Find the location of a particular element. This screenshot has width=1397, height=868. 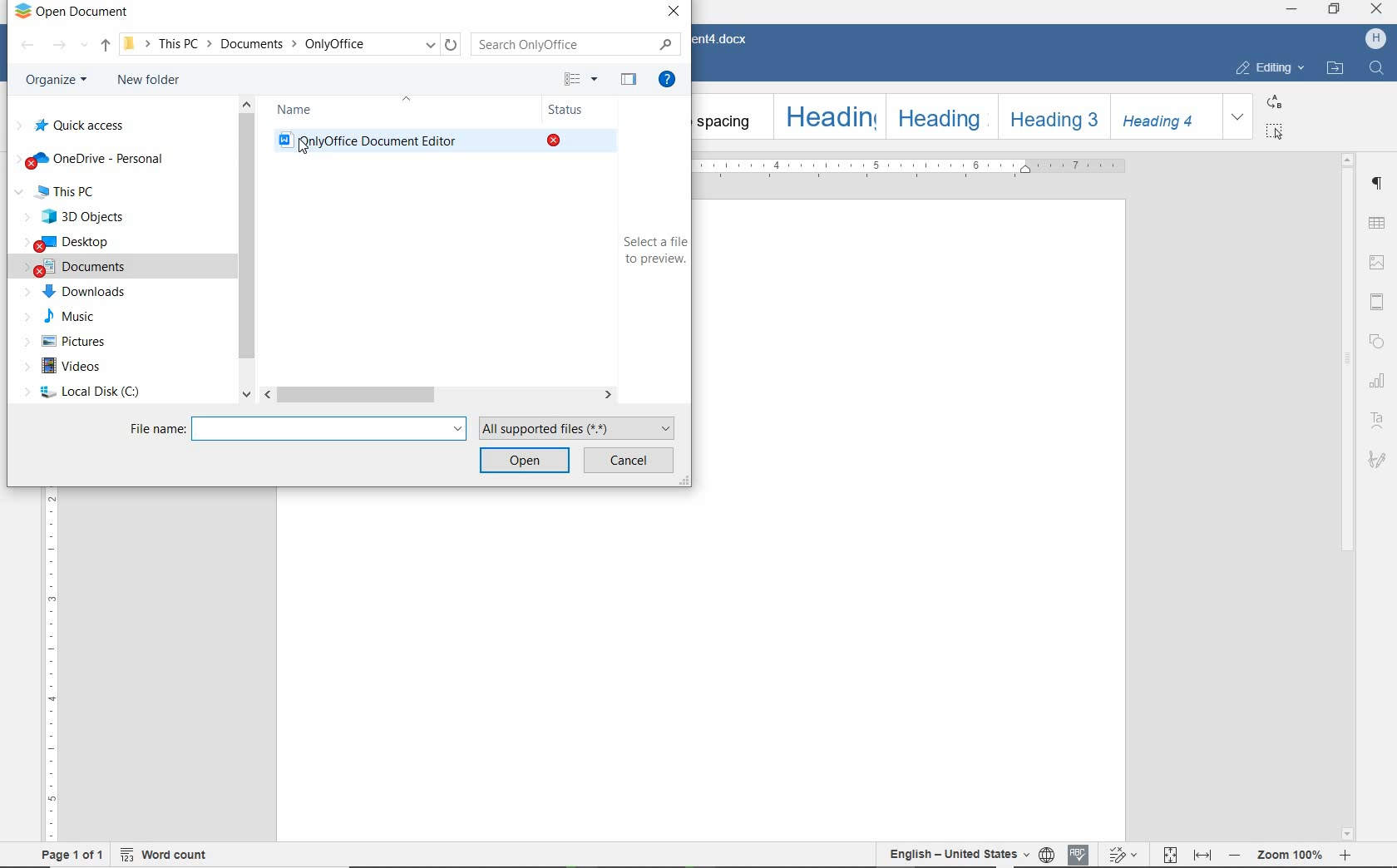

Heading 4 is located at coordinates (1168, 118).